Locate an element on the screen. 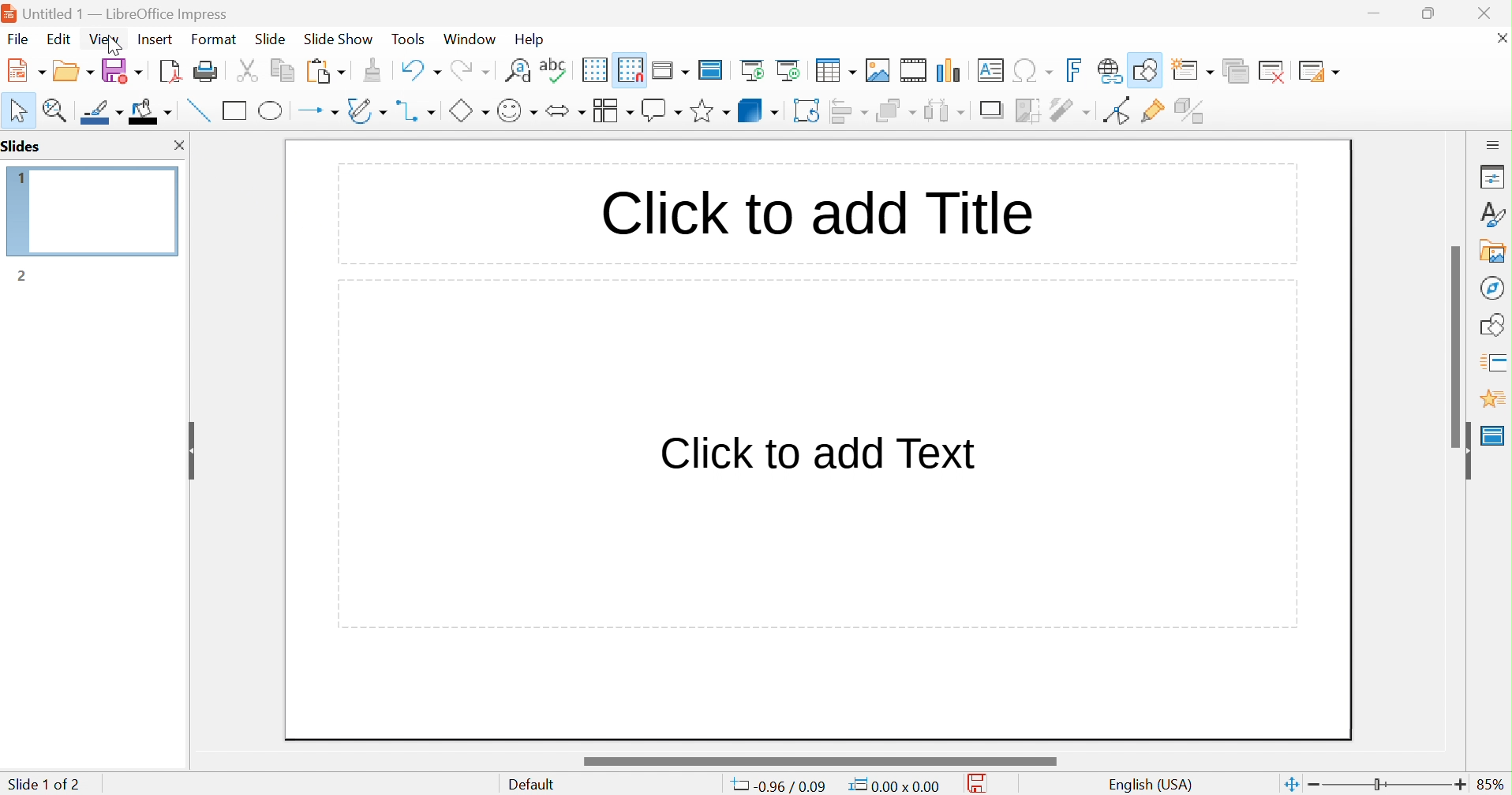 The image size is (1512, 795). shapes is located at coordinates (1495, 323).